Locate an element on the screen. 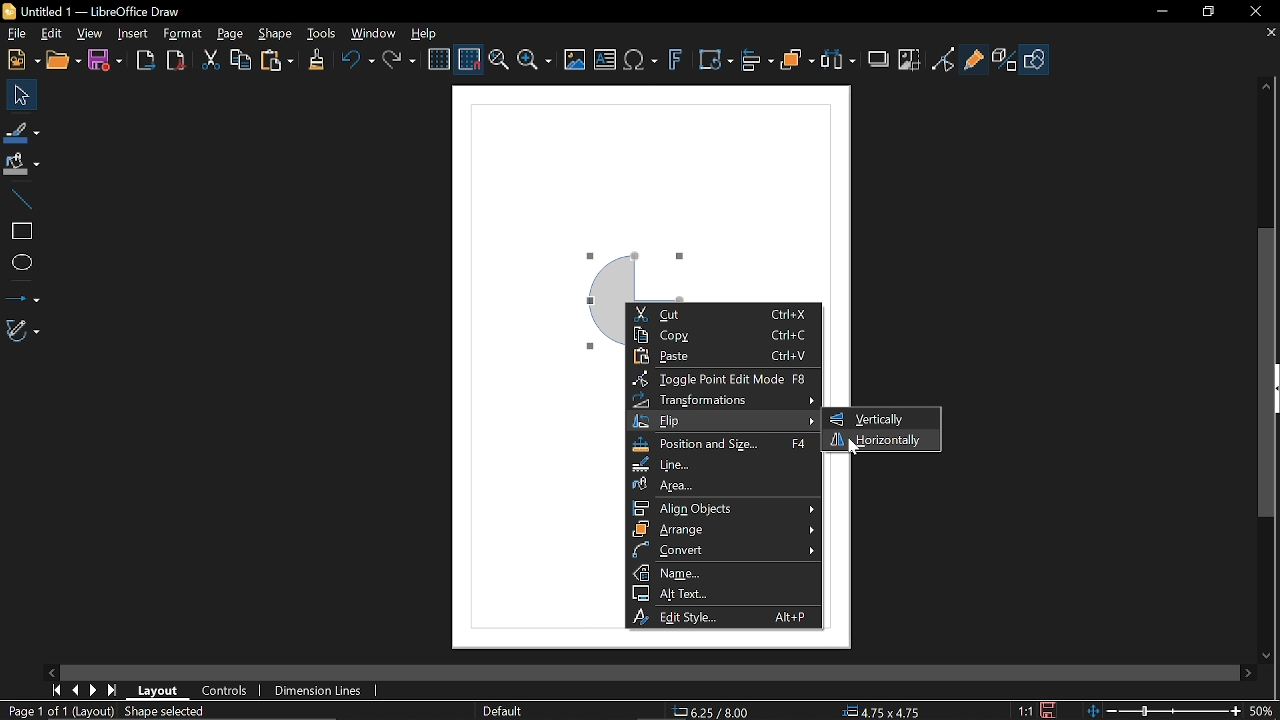  Save is located at coordinates (109, 60).